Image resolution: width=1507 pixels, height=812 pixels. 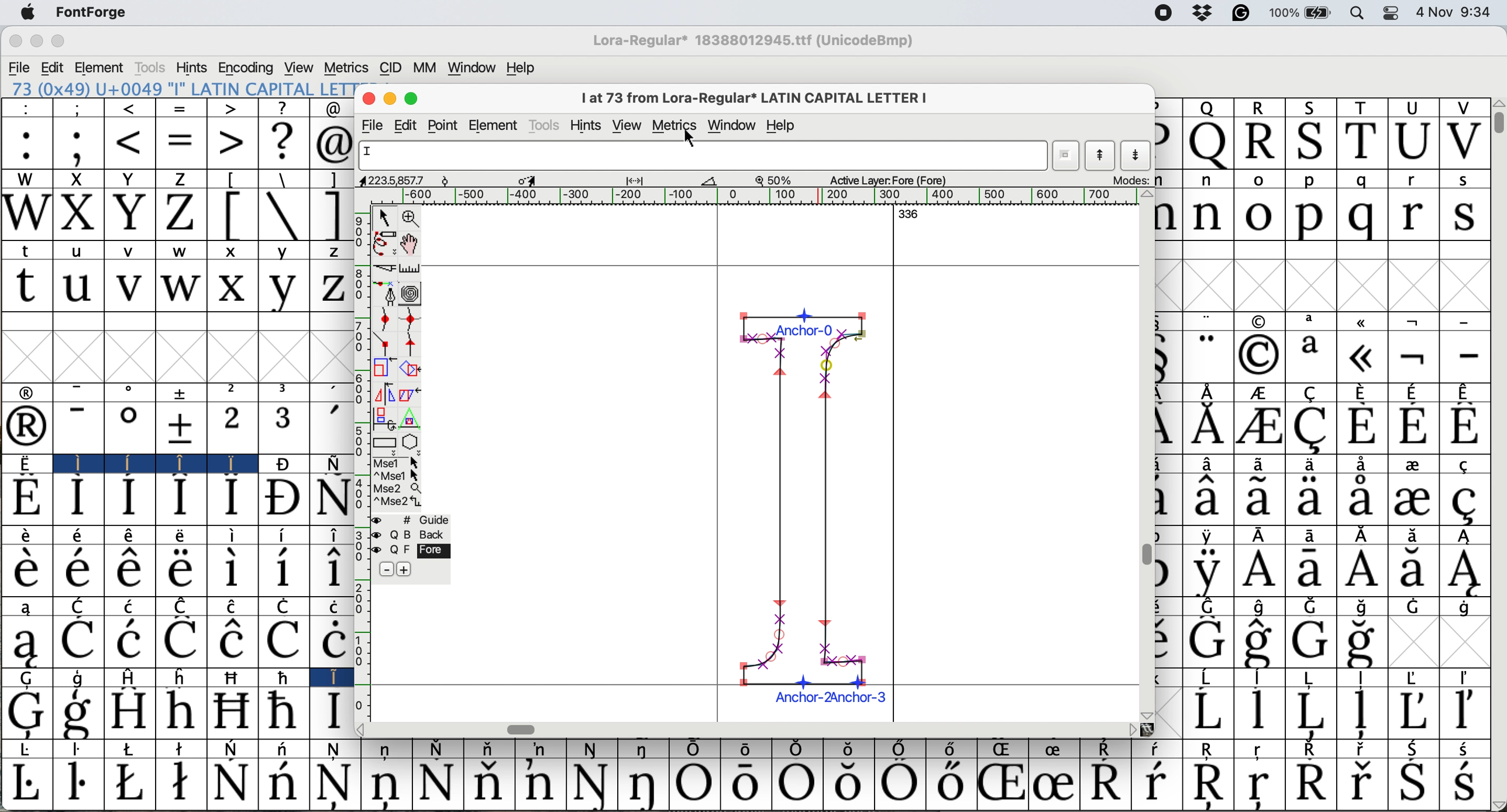 I want to click on modes, so click(x=1132, y=181).